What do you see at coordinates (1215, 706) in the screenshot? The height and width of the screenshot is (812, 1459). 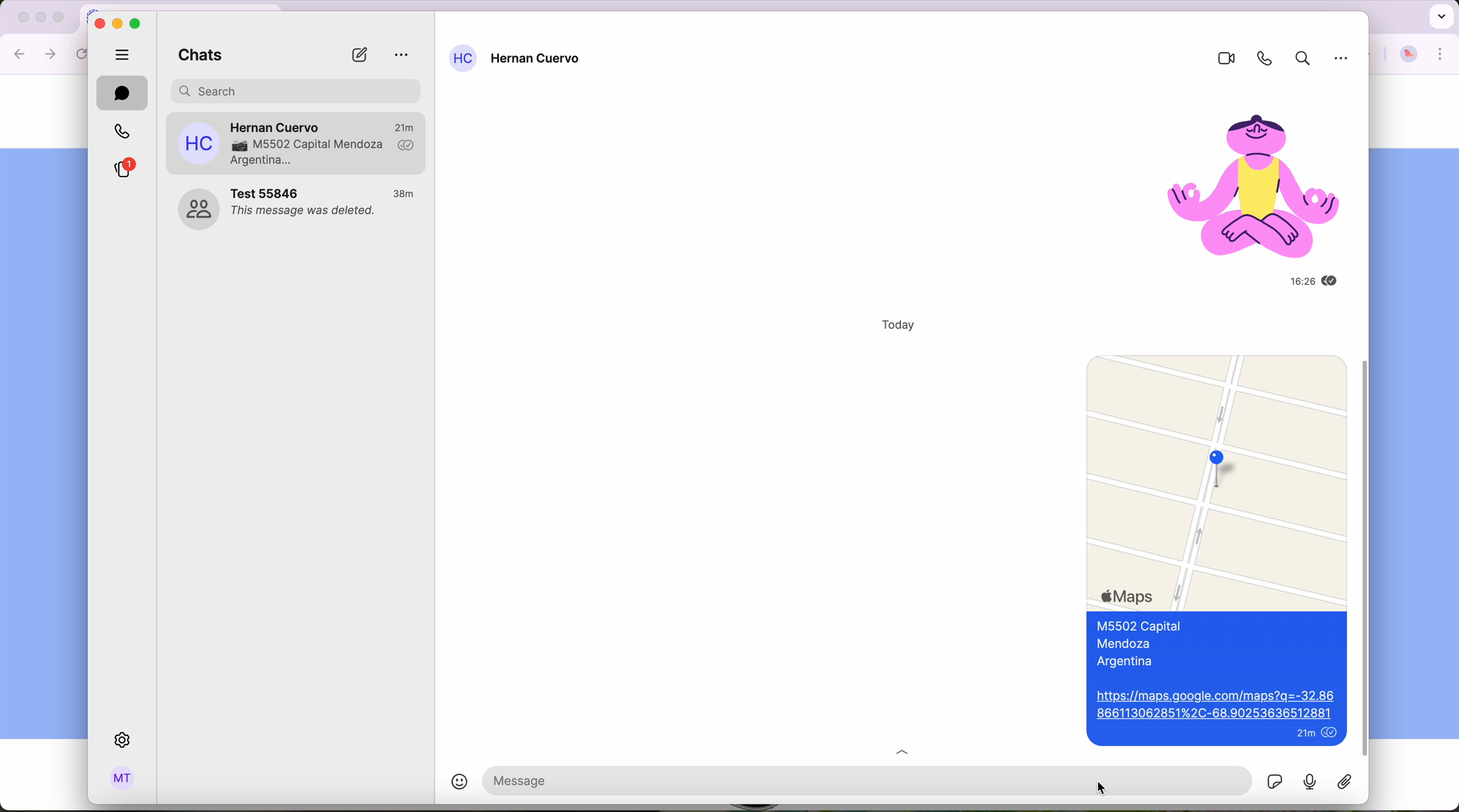 I see `https://maps.google.com/maps?q=-32.86
866113062851%2C-68.90253636512881` at bounding box center [1215, 706].